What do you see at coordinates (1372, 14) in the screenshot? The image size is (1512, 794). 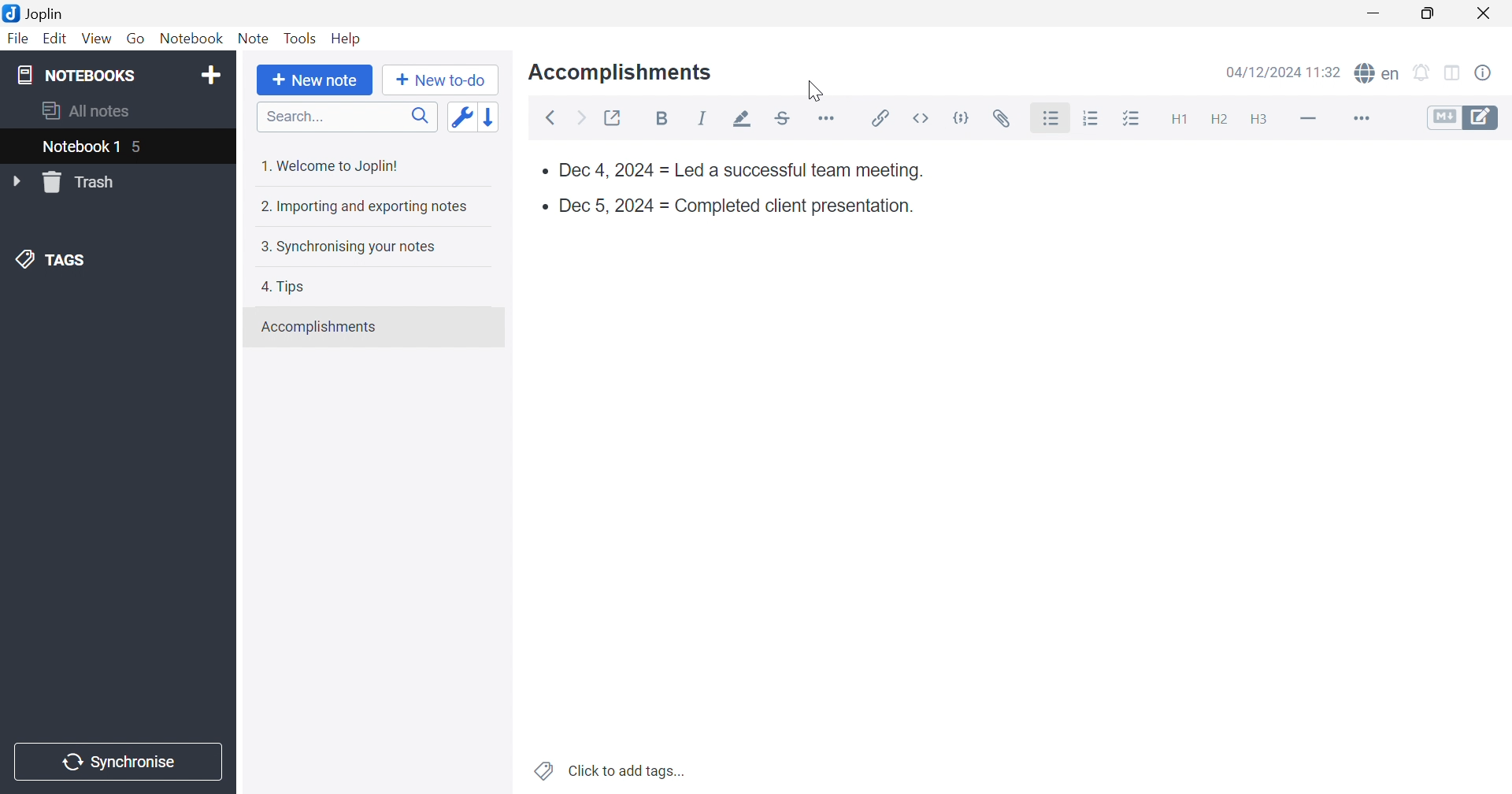 I see `Minimize` at bounding box center [1372, 14].